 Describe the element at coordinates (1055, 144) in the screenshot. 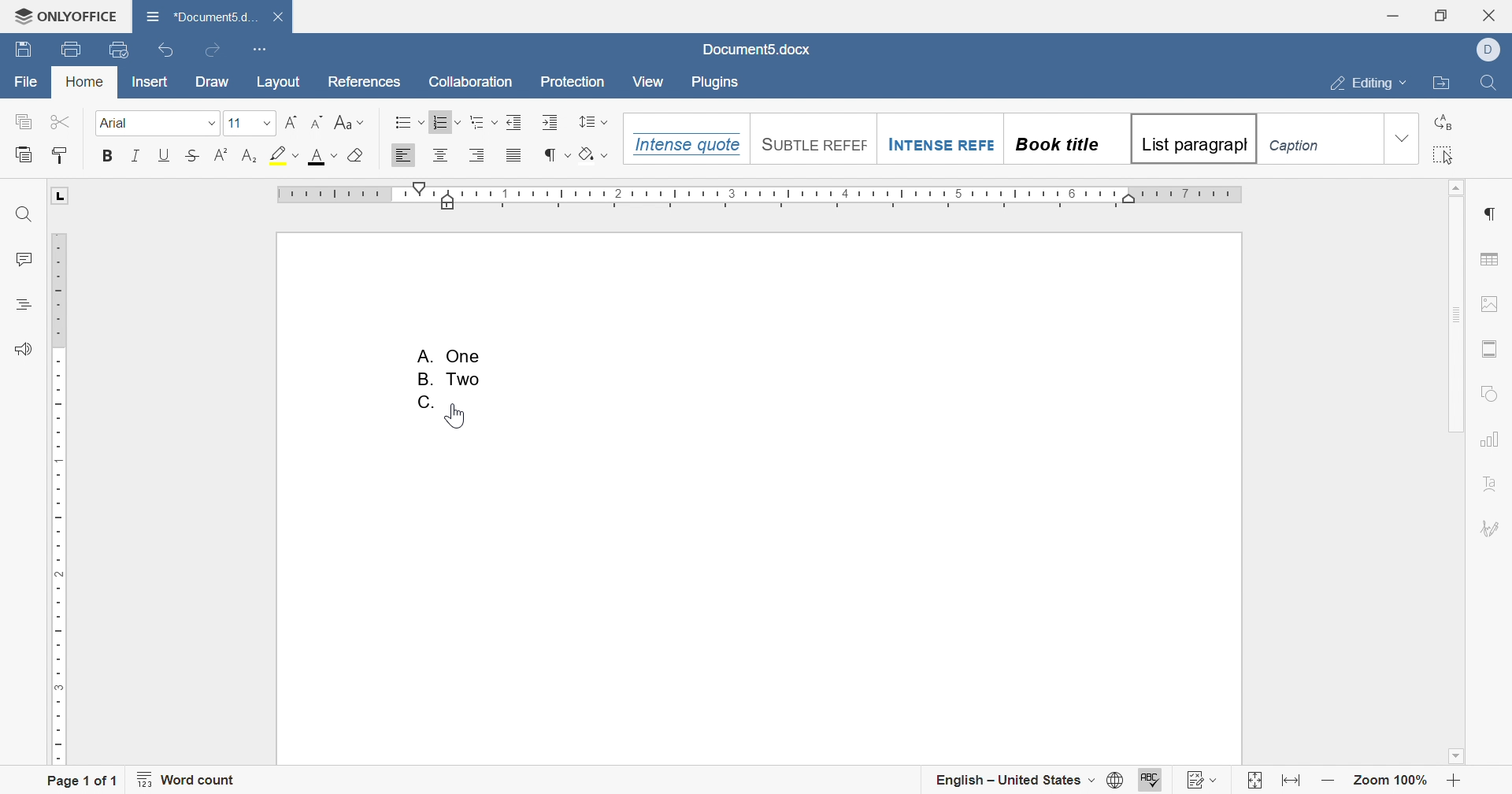

I see `Book title` at that location.